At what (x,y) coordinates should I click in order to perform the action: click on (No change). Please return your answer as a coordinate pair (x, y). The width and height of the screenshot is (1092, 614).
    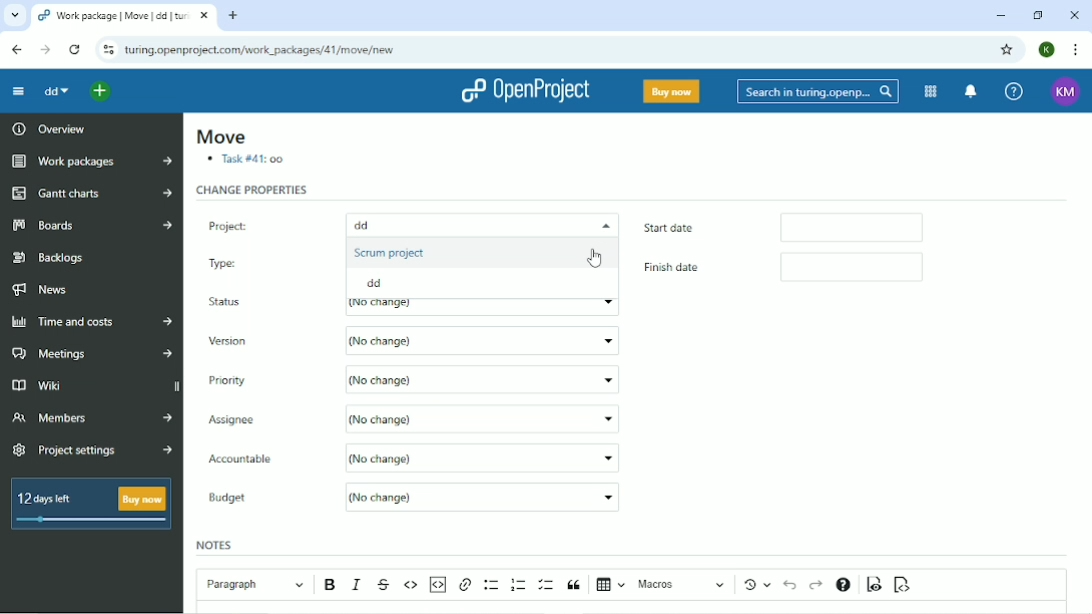
    Looking at the image, I should click on (484, 378).